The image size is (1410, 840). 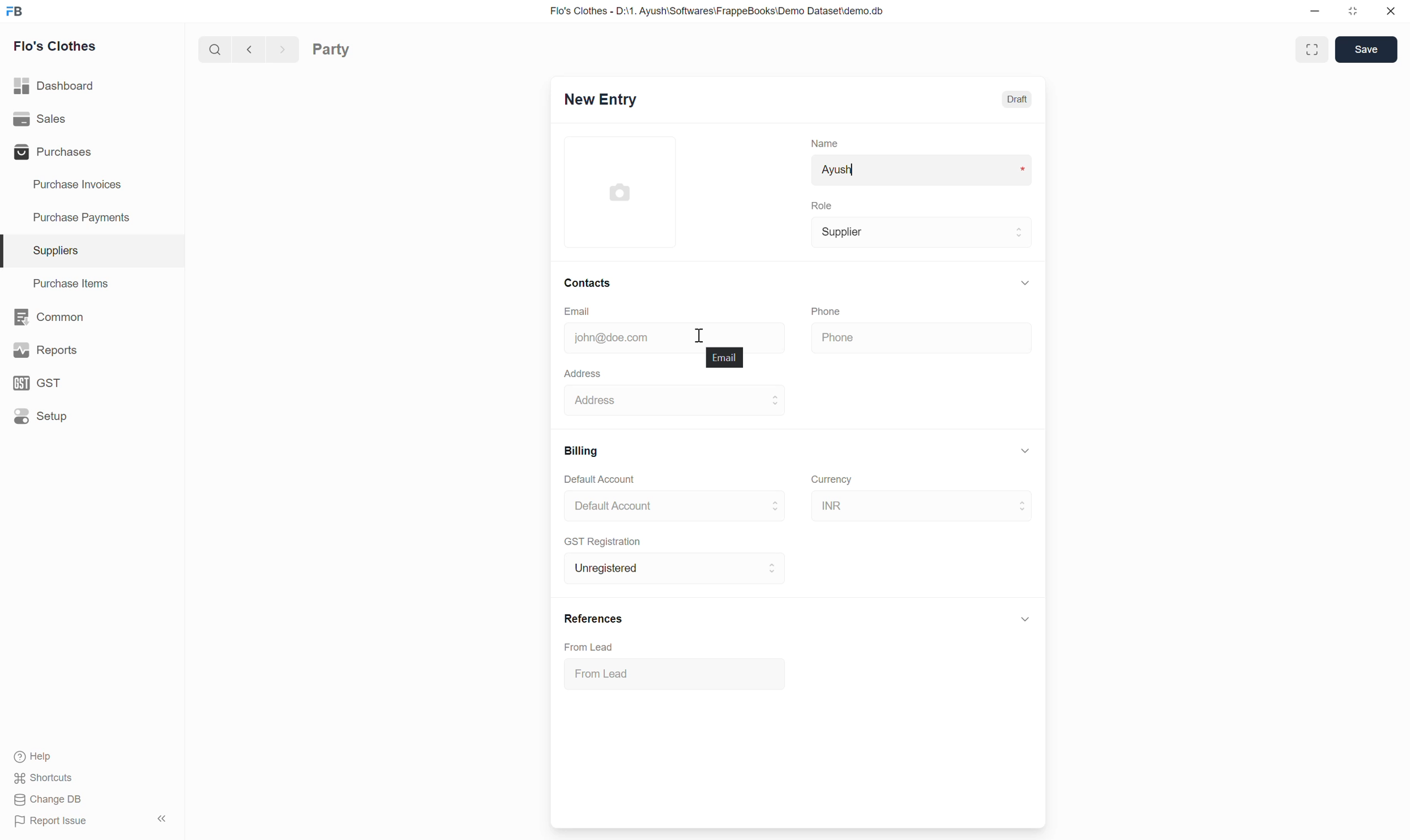 What do you see at coordinates (91, 152) in the screenshot?
I see `Purchases` at bounding box center [91, 152].